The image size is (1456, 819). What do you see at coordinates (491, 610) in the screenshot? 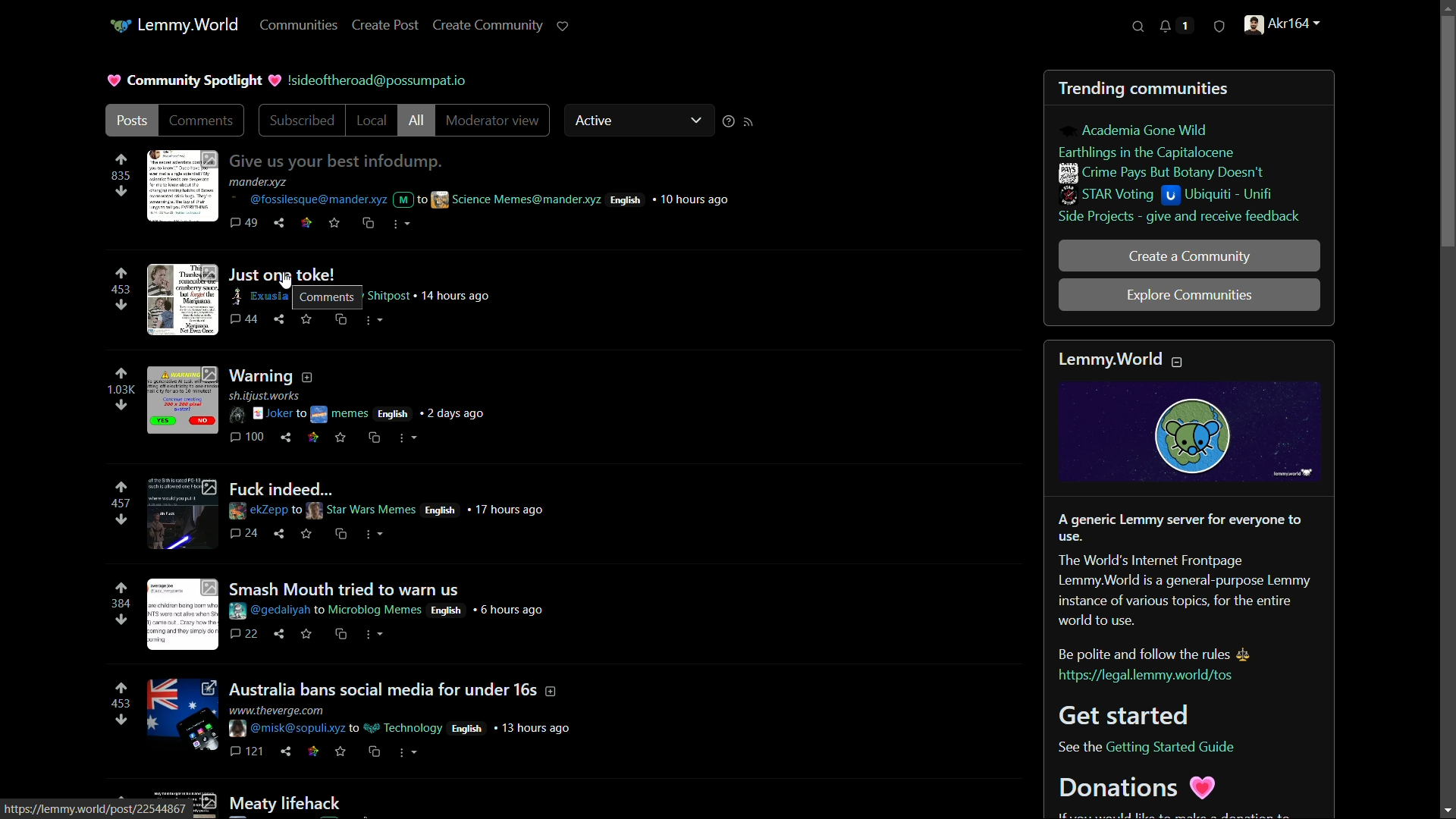
I see `English 6 hours ago` at bounding box center [491, 610].